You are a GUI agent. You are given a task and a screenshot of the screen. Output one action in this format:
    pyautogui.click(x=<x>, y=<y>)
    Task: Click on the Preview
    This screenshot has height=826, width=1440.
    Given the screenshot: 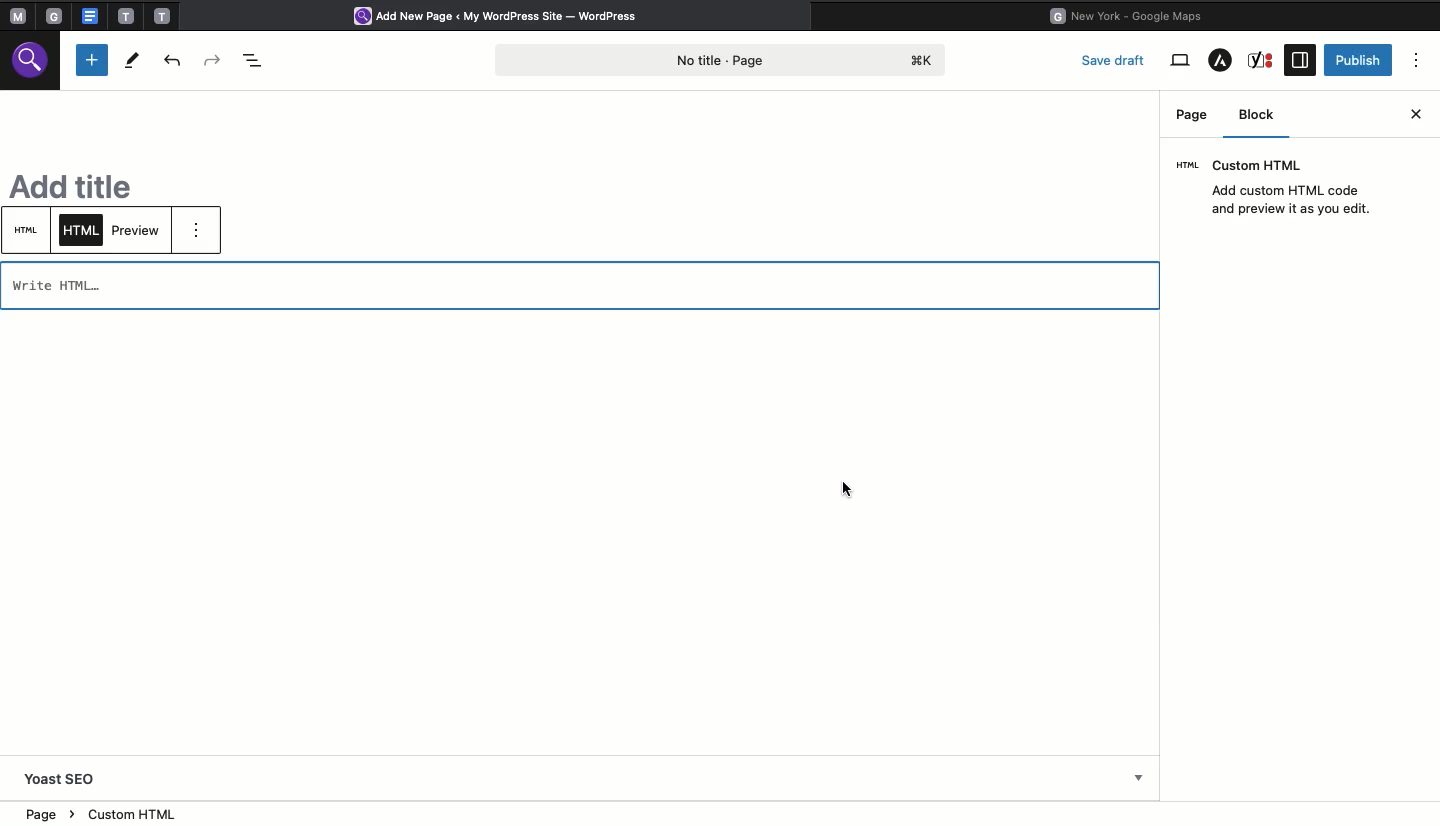 What is the action you would take?
    pyautogui.click(x=138, y=229)
    